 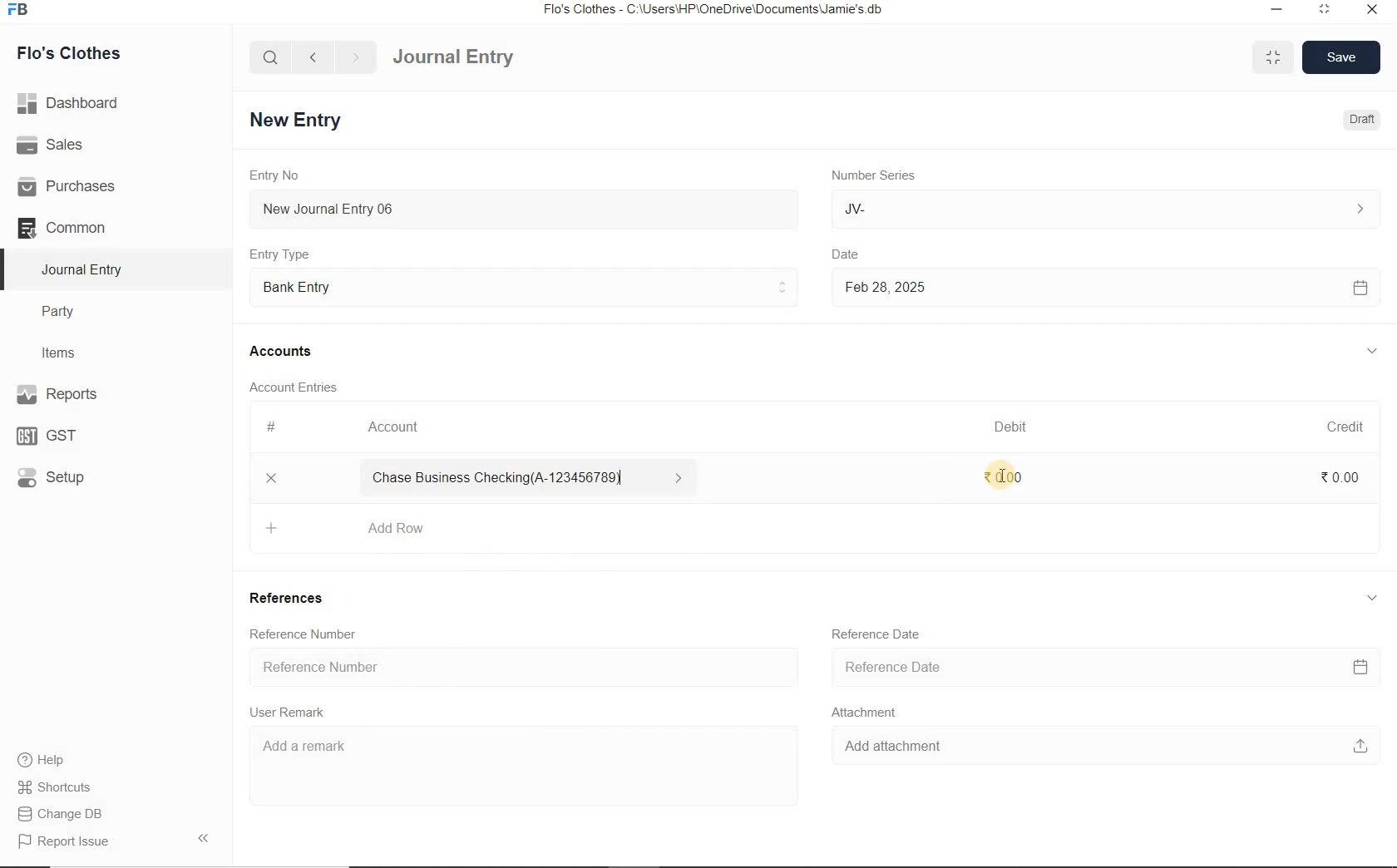 I want to click on Reference Number, so click(x=520, y=668).